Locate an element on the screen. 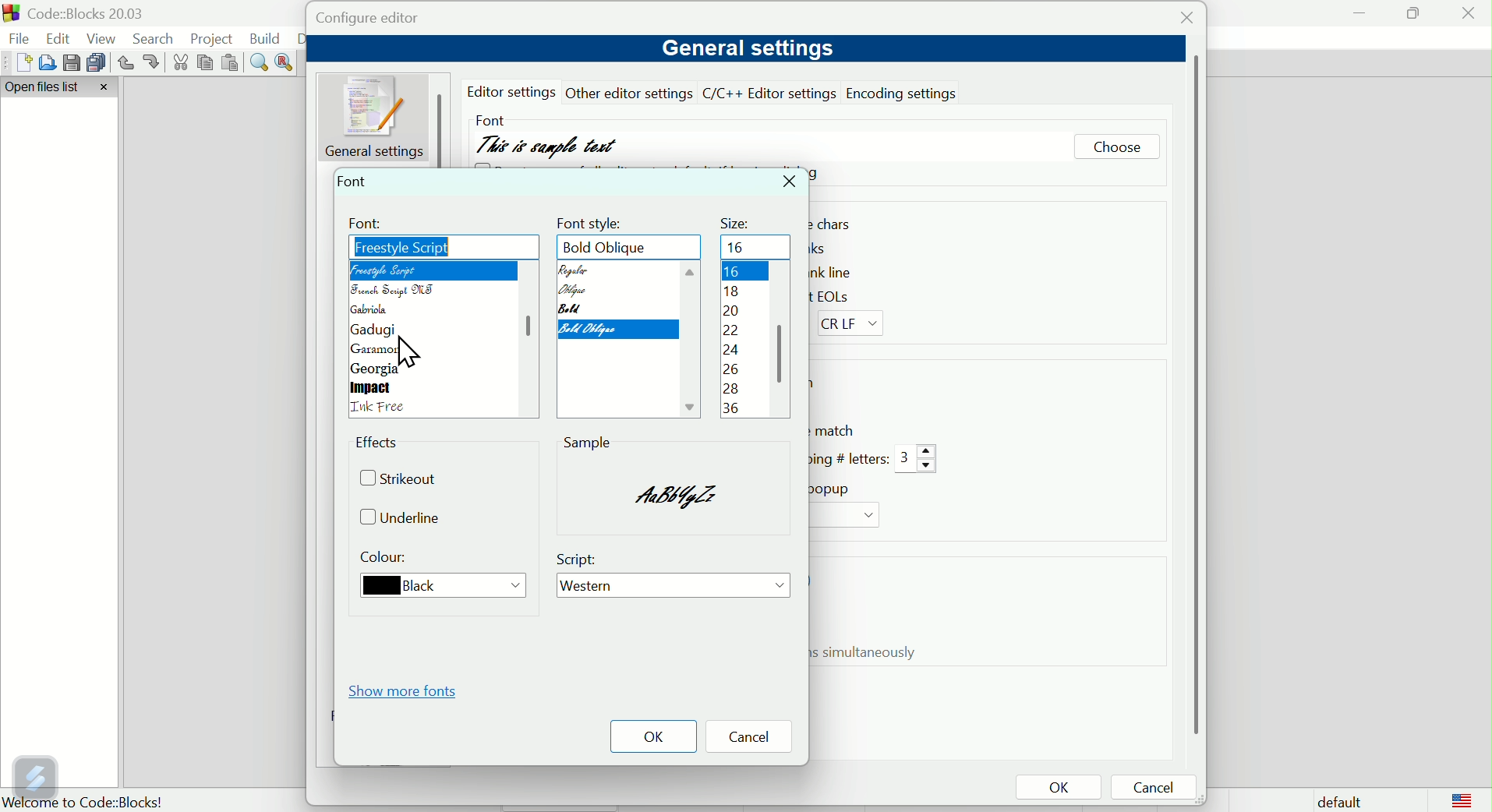 The width and height of the screenshot is (1492, 812). Default is located at coordinates (1336, 800).